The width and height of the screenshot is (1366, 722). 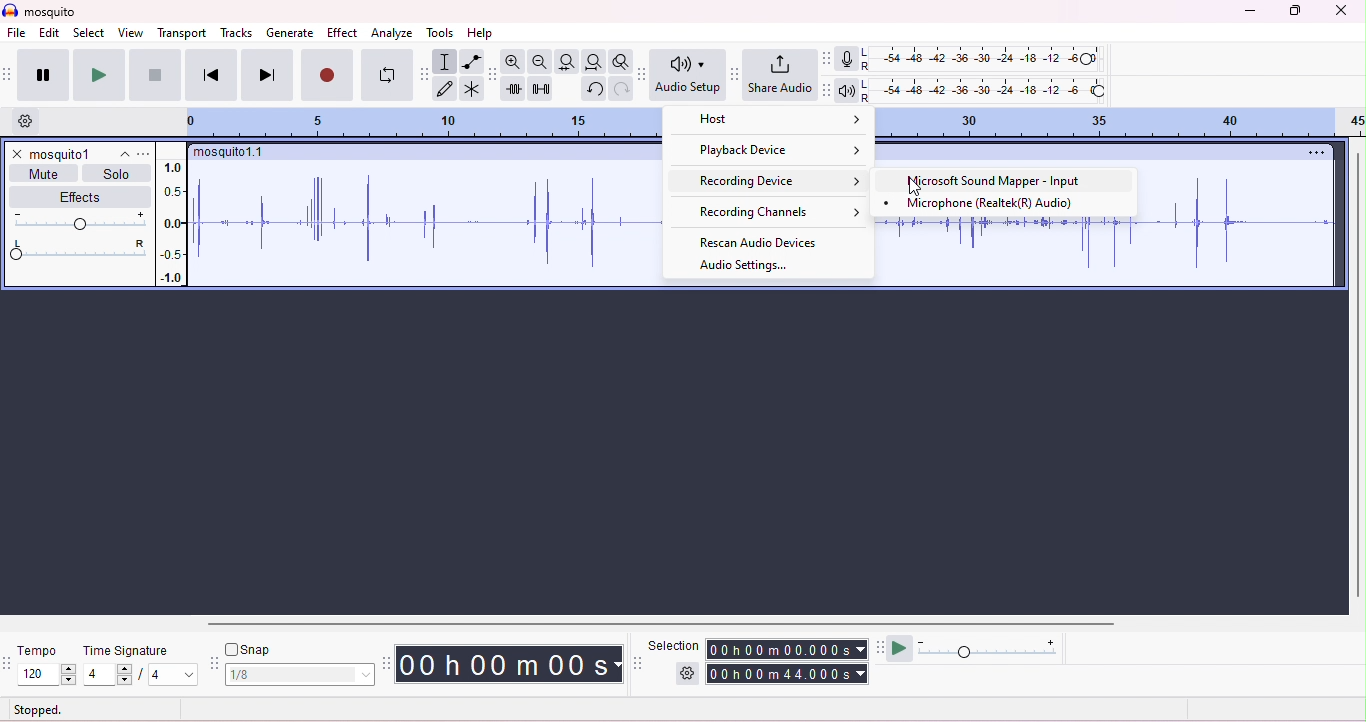 I want to click on tools, so click(x=441, y=33).